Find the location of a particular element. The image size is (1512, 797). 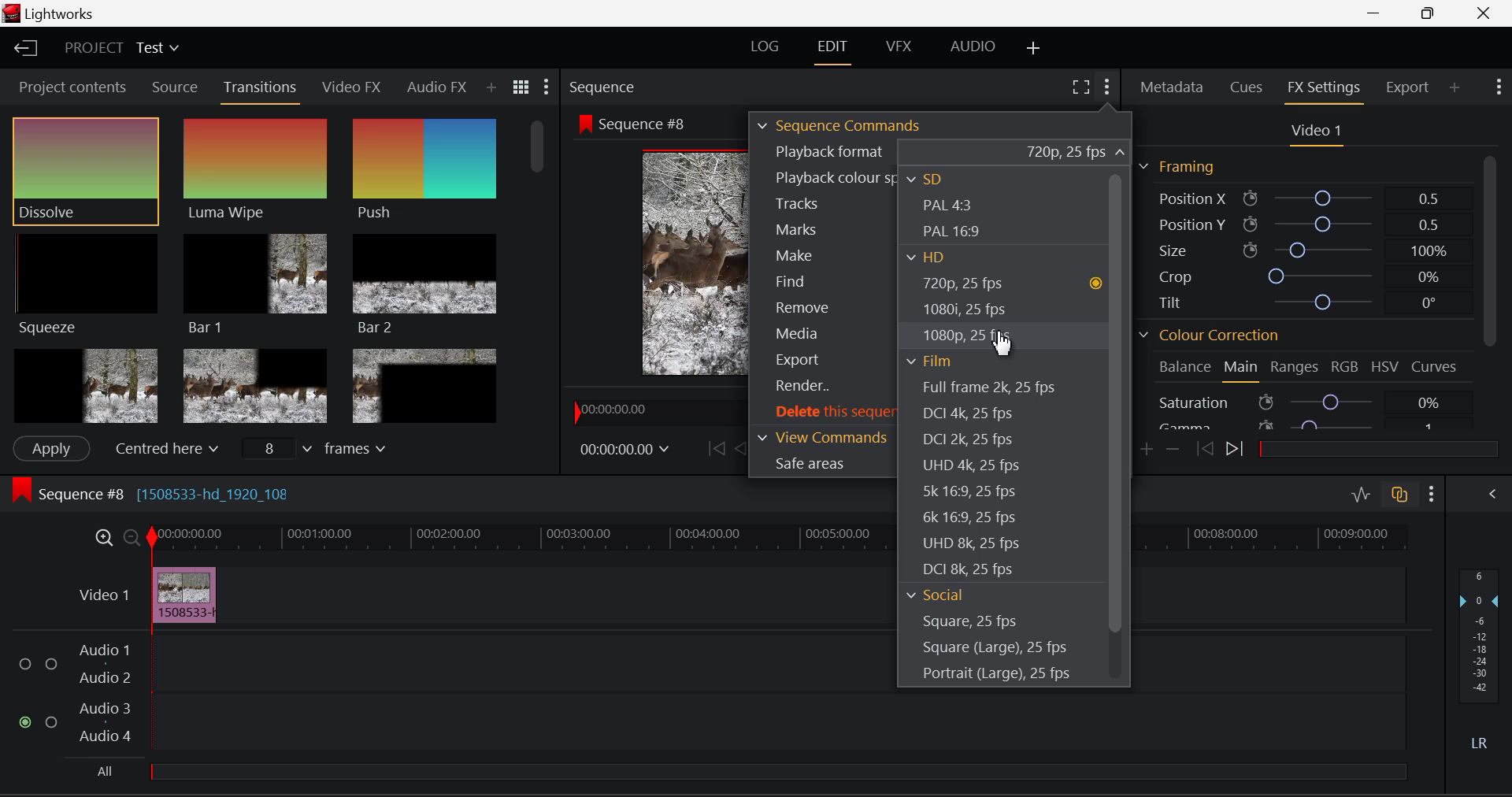

Audio FX is located at coordinates (435, 87).